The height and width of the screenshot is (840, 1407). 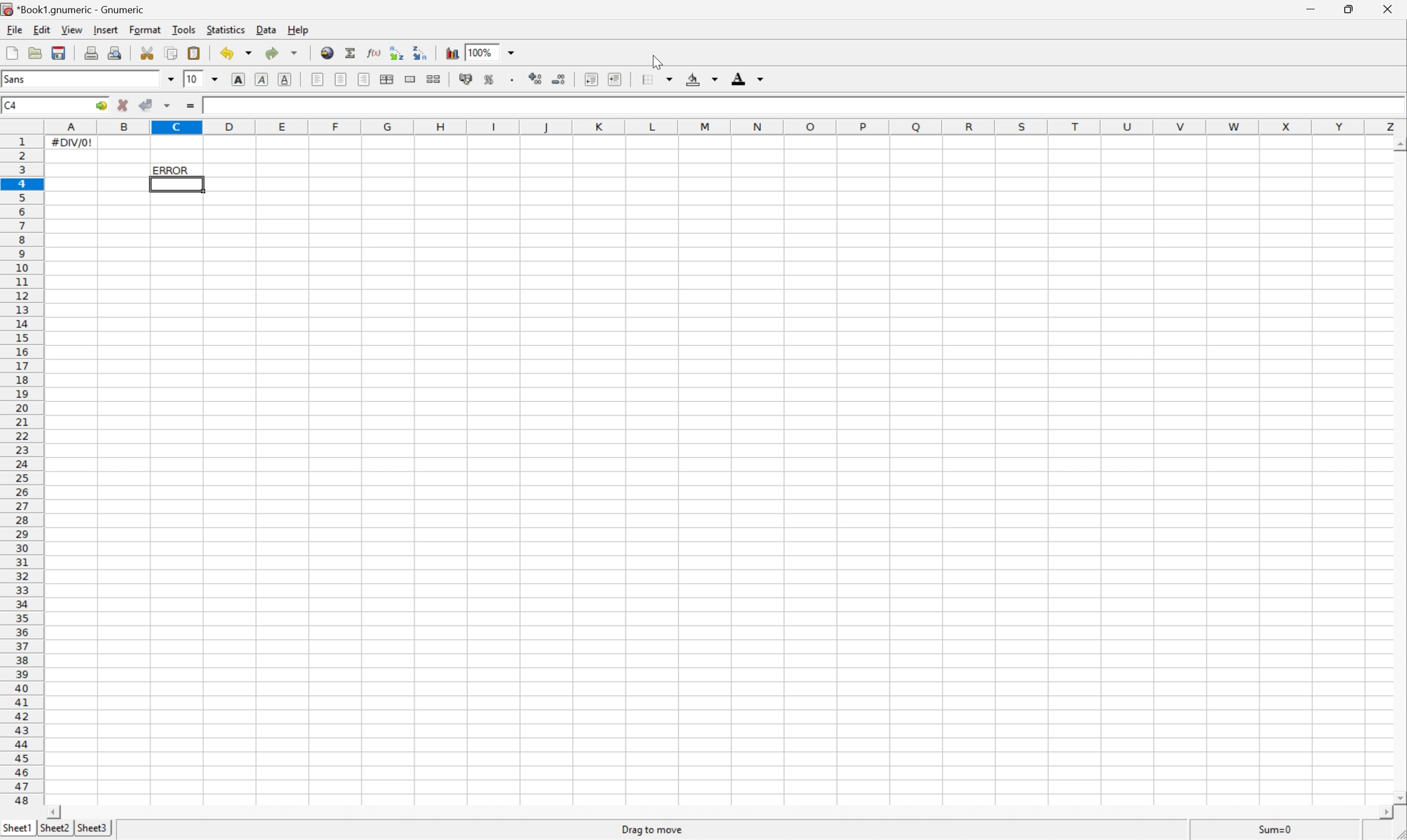 What do you see at coordinates (73, 142) in the screenshot?
I see `#DIV/0!` at bounding box center [73, 142].